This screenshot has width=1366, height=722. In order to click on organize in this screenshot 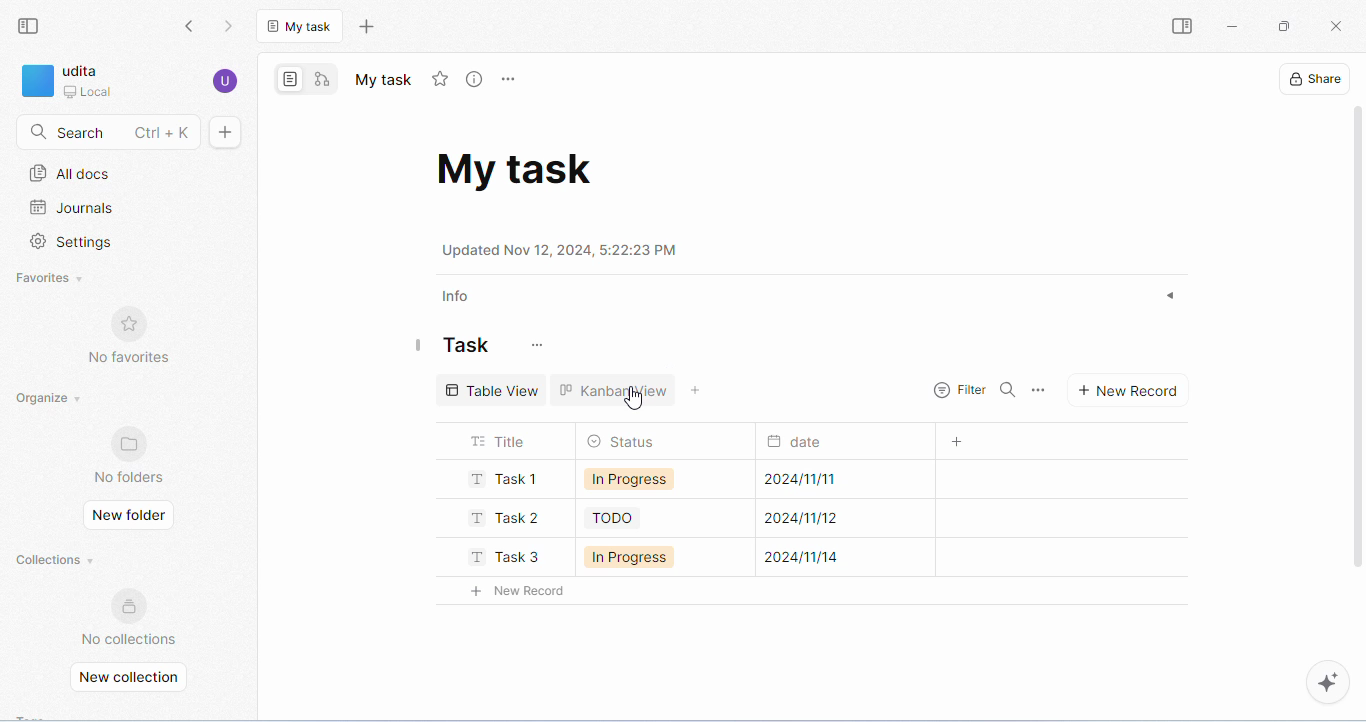, I will do `click(59, 400)`.